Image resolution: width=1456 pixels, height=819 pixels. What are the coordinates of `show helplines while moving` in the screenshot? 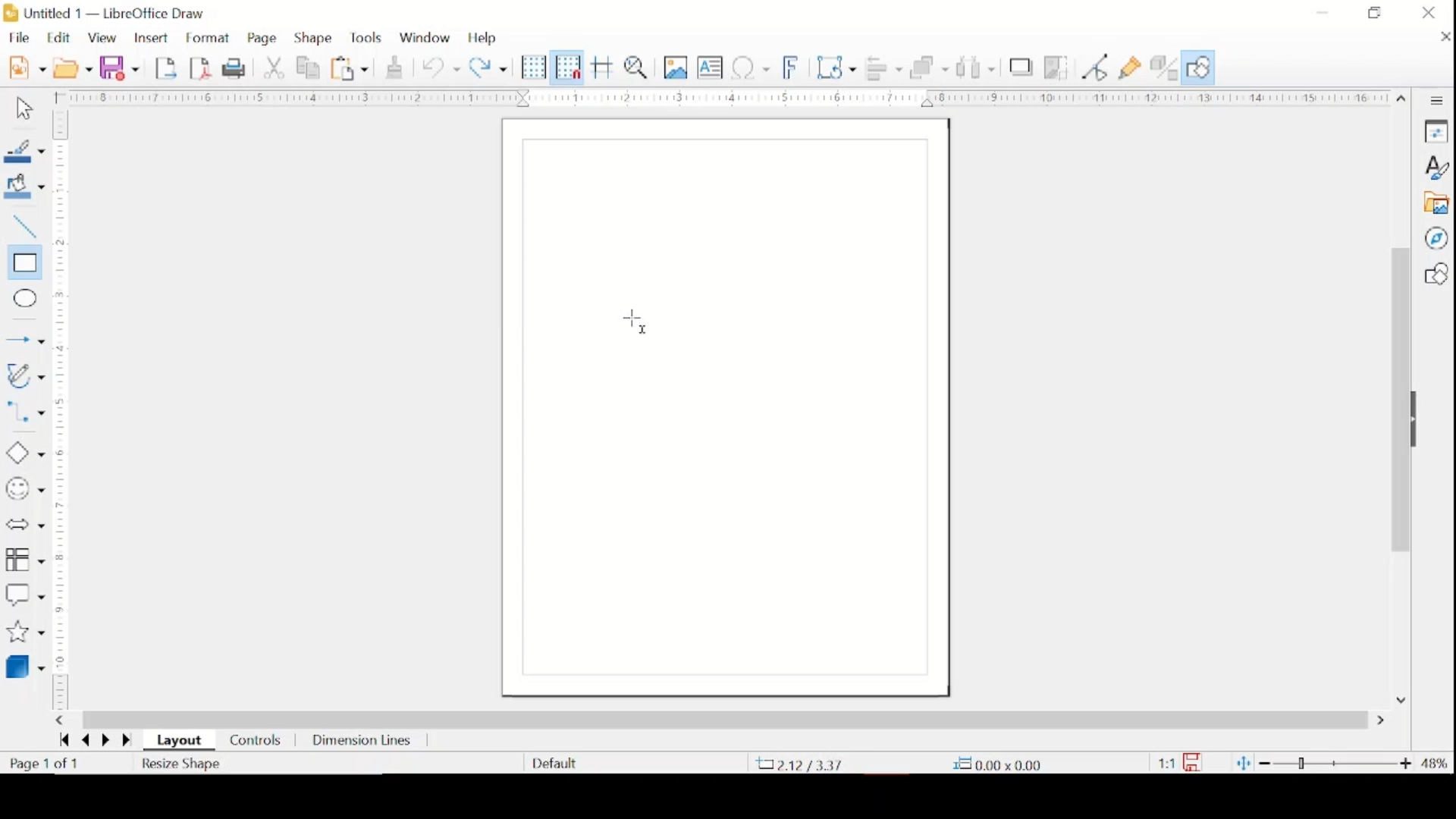 It's located at (603, 67).